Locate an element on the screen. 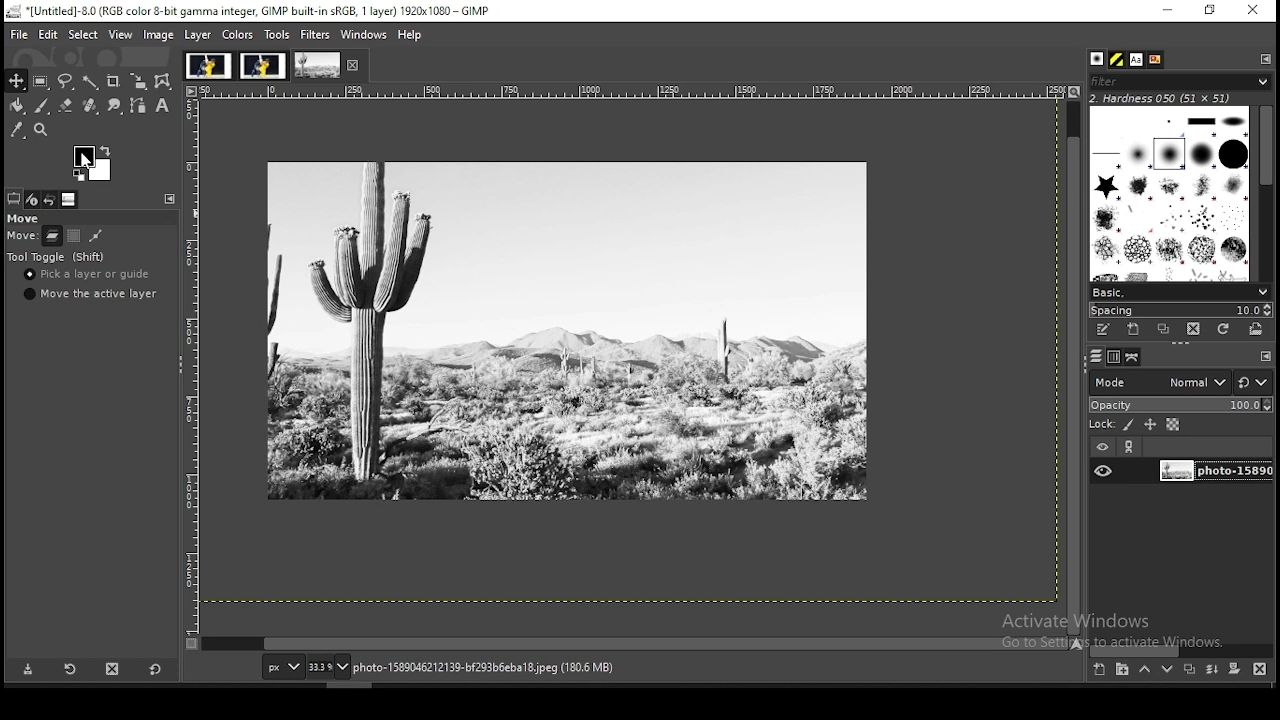 The image size is (1280, 720). paint bucket tool is located at coordinates (17, 106).